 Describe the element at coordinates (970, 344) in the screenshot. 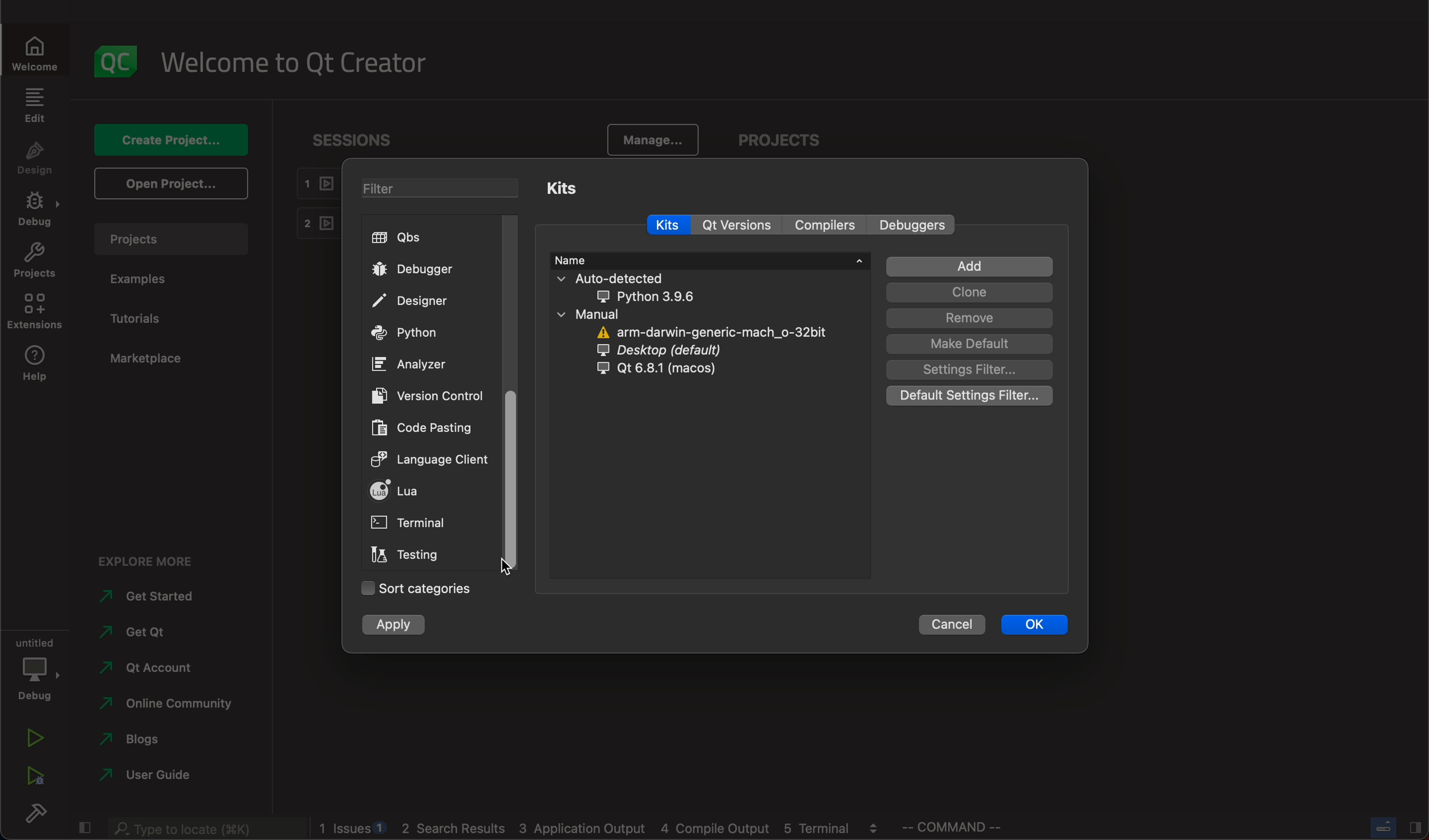

I see `default` at that location.